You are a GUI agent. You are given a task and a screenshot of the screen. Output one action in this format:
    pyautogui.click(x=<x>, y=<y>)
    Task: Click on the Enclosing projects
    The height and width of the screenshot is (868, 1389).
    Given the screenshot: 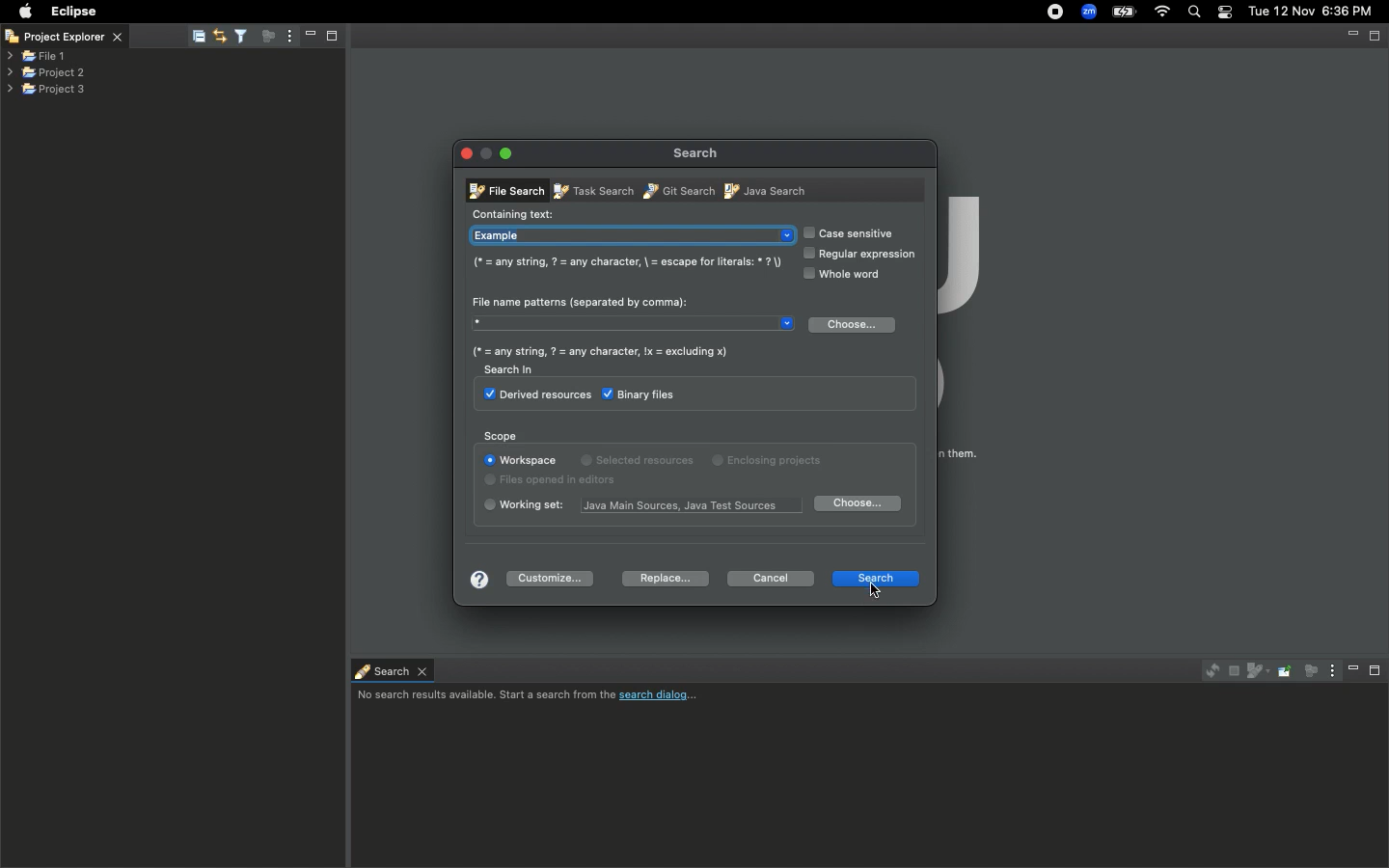 What is the action you would take?
    pyautogui.click(x=771, y=457)
    